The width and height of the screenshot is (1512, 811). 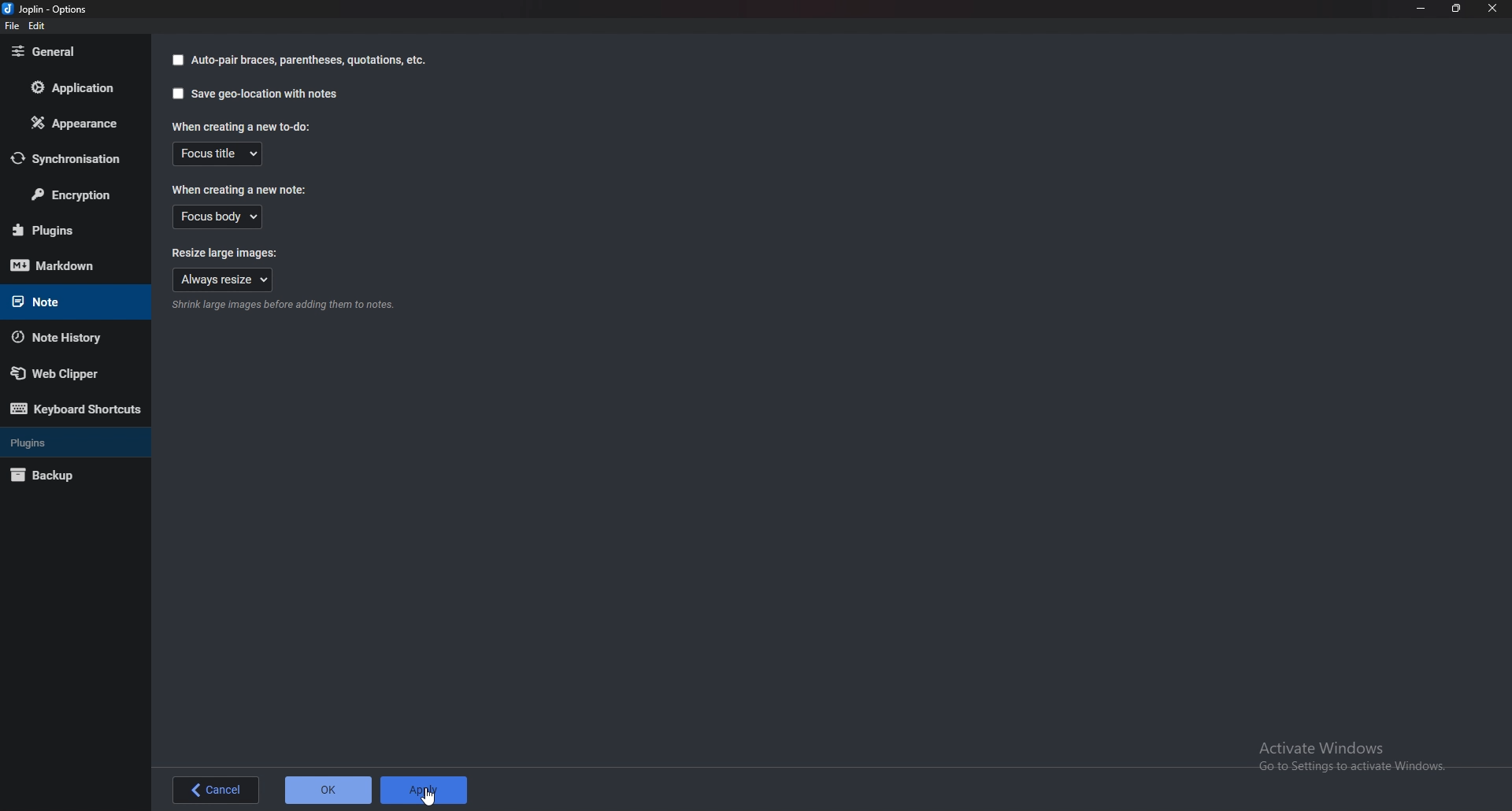 I want to click on Focus title, so click(x=218, y=154).